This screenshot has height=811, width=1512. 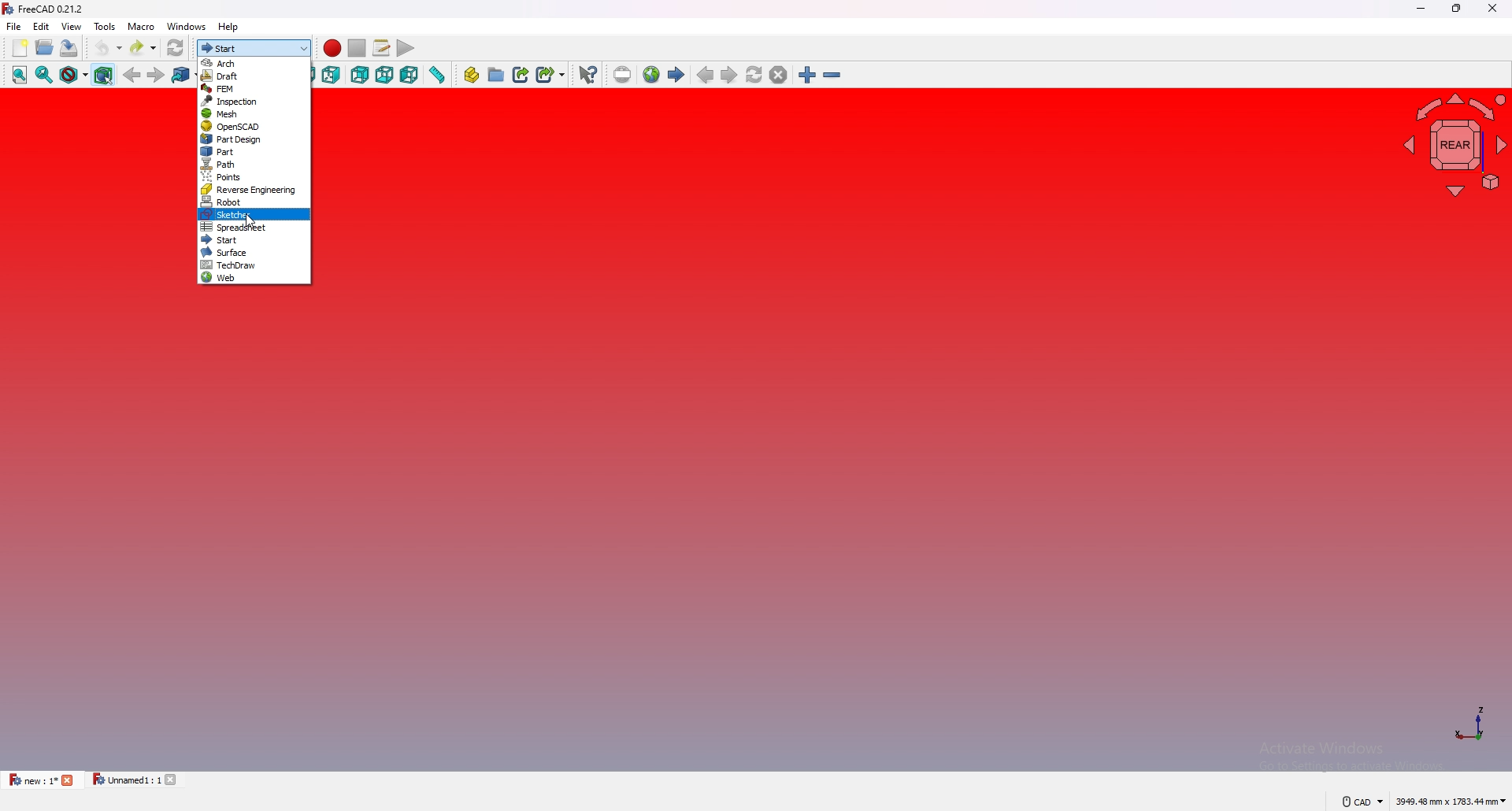 I want to click on surface, so click(x=254, y=252).